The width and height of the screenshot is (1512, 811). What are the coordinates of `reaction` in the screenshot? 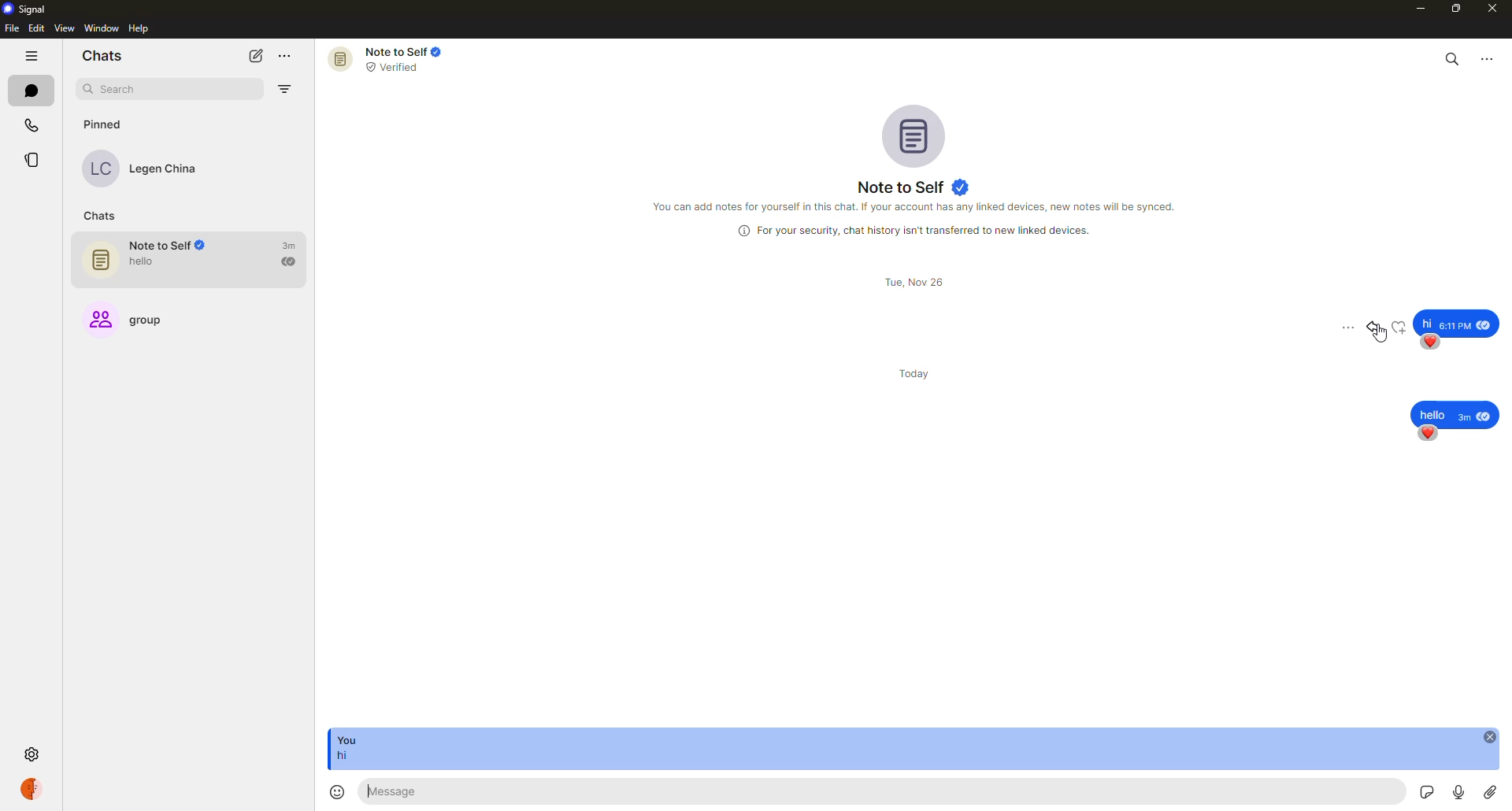 It's located at (1398, 327).